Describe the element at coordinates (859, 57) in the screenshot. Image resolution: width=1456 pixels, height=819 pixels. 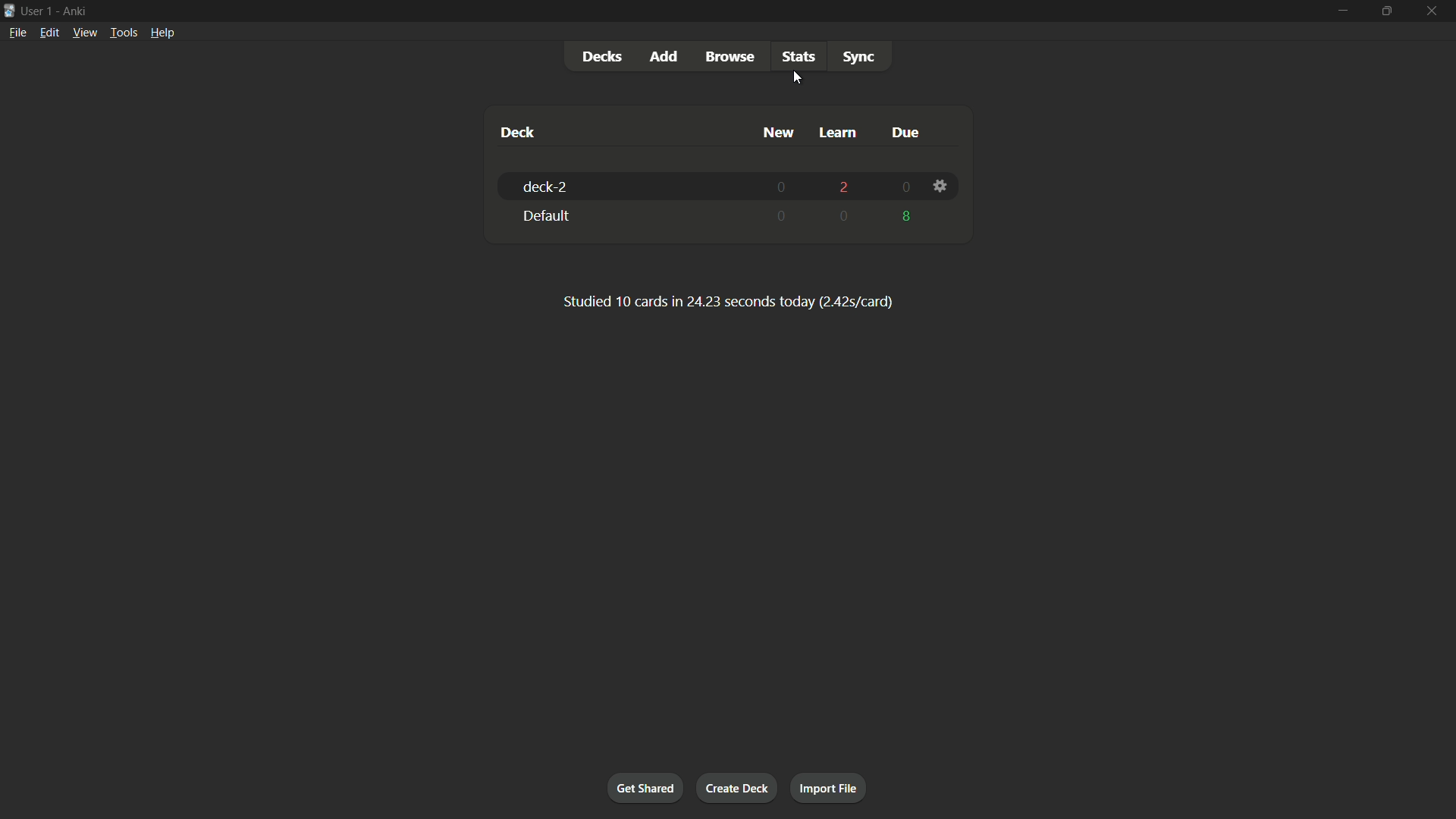
I see `Sync` at that location.